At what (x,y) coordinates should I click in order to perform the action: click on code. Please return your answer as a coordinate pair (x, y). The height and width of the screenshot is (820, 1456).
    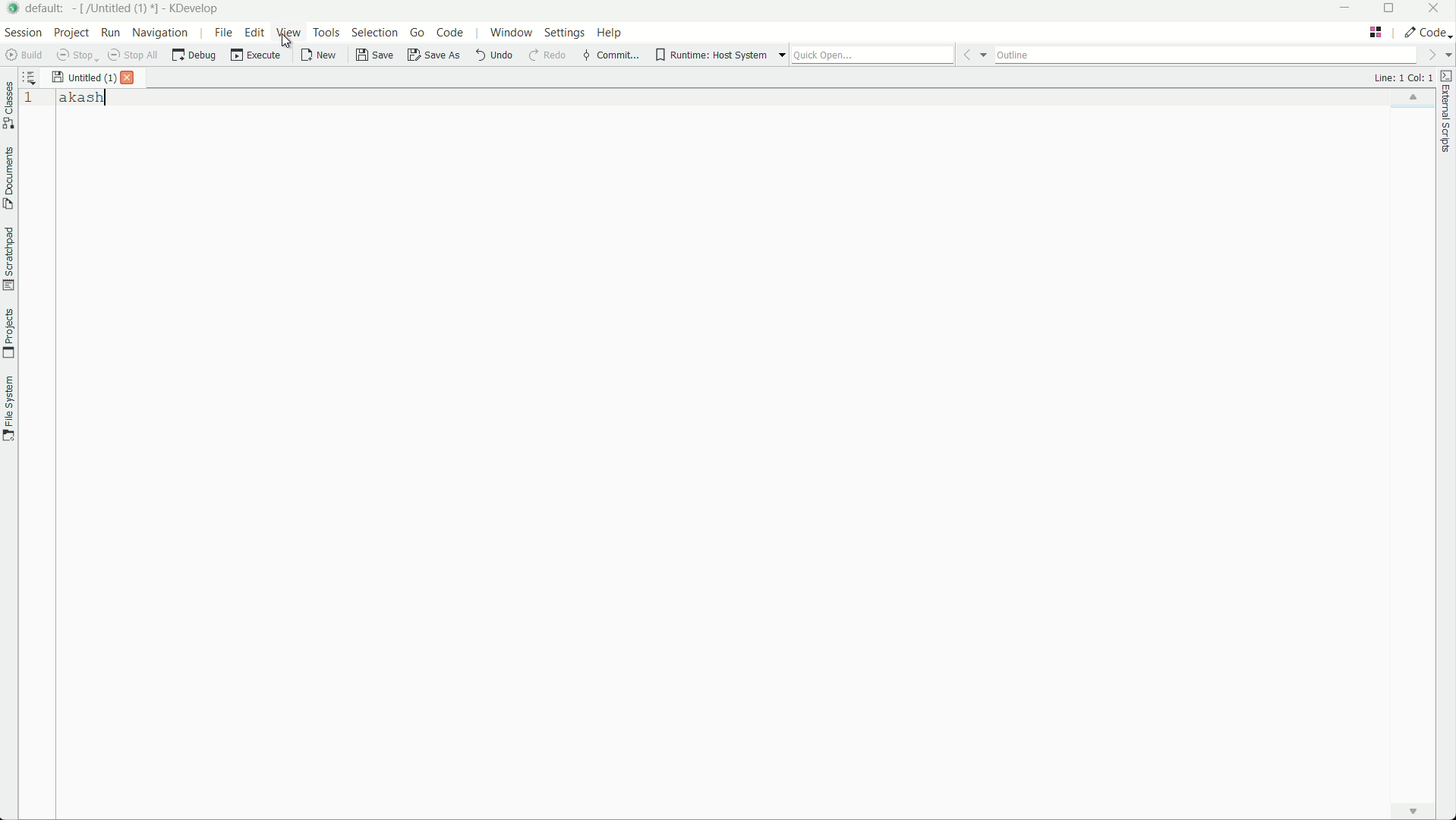
    Looking at the image, I should click on (449, 32).